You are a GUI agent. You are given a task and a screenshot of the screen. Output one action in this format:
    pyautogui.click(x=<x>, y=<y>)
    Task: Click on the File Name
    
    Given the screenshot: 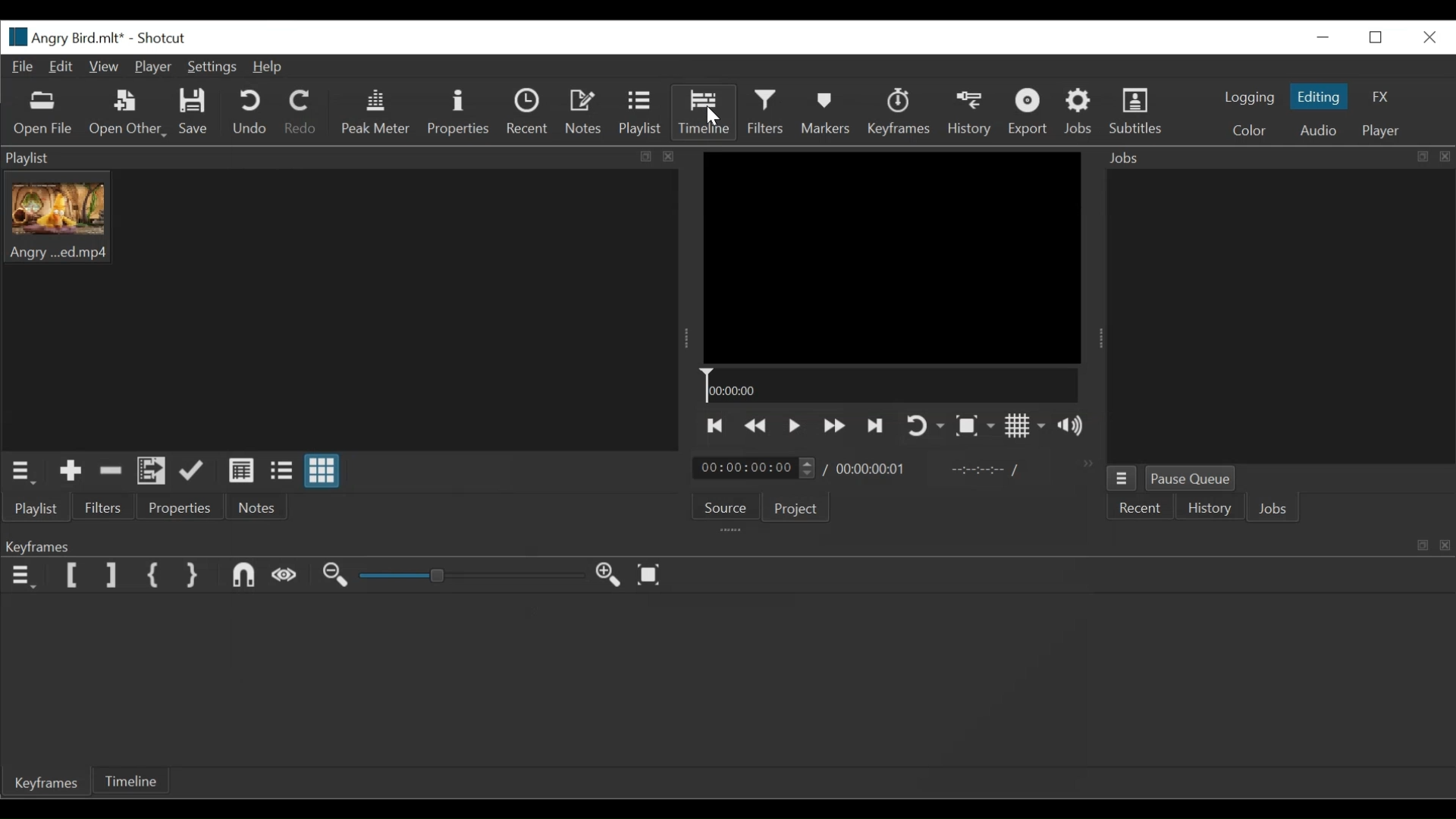 What is the action you would take?
    pyautogui.click(x=63, y=37)
    